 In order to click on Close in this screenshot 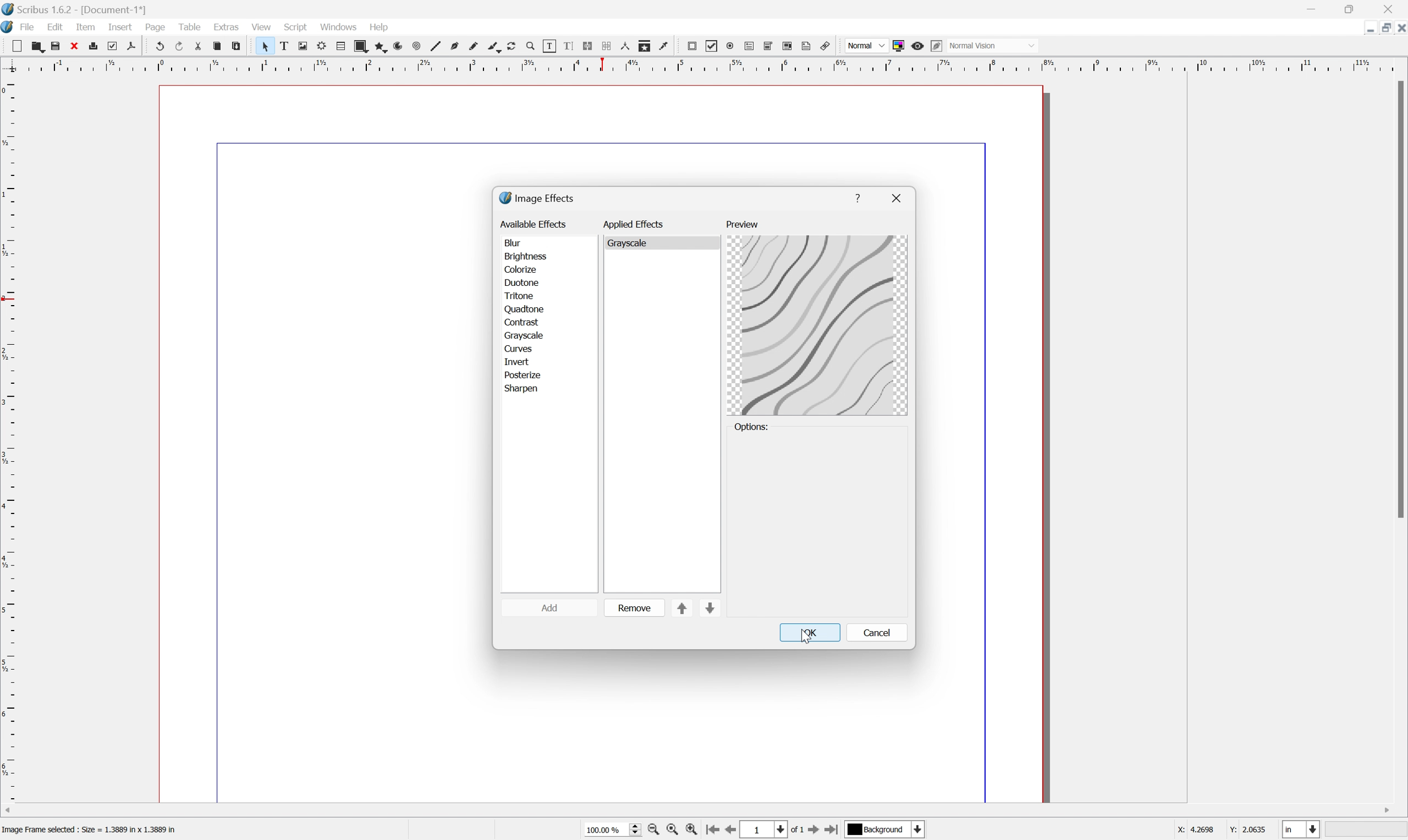, I will do `click(1392, 10)`.